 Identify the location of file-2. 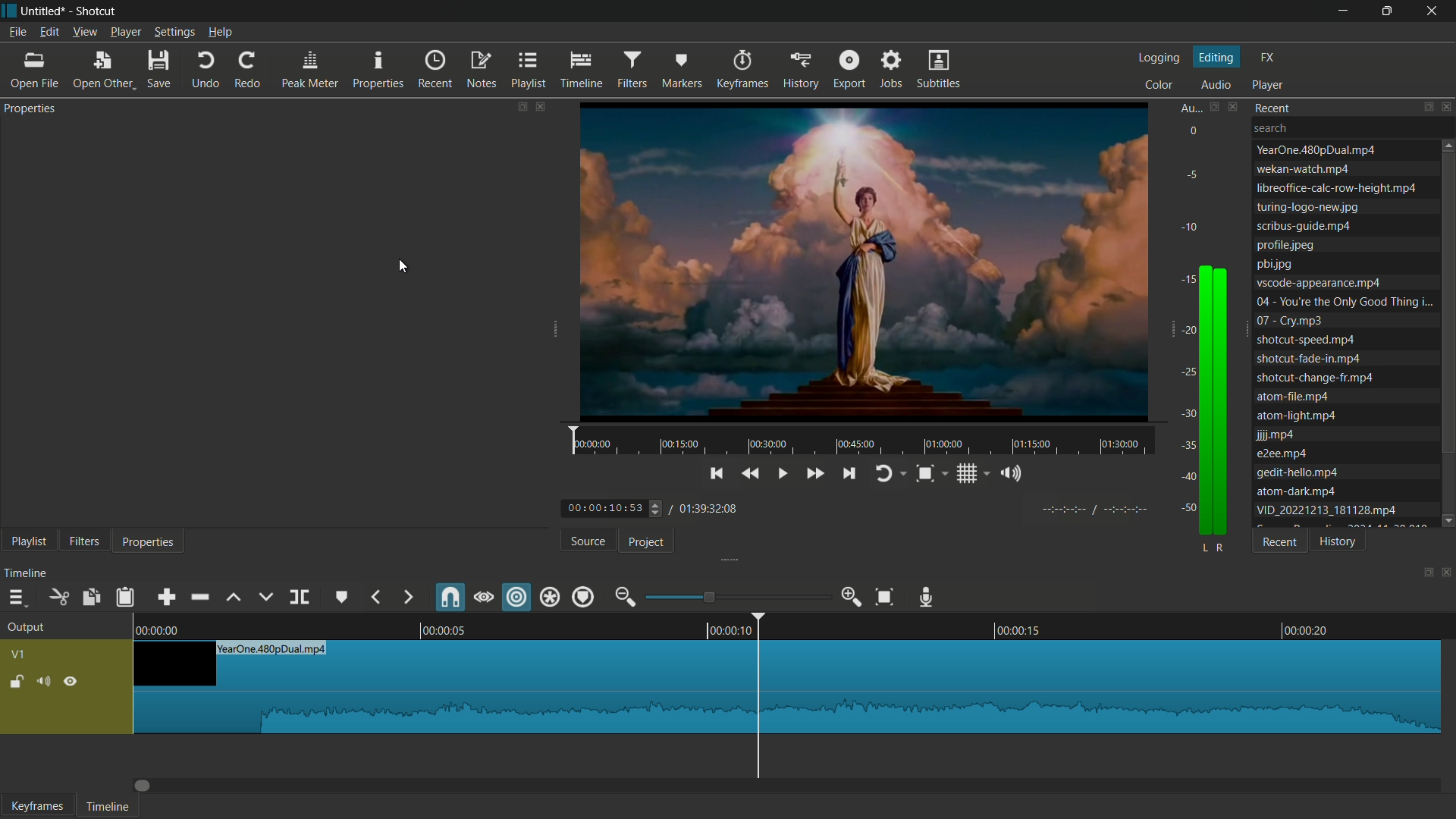
(1303, 169).